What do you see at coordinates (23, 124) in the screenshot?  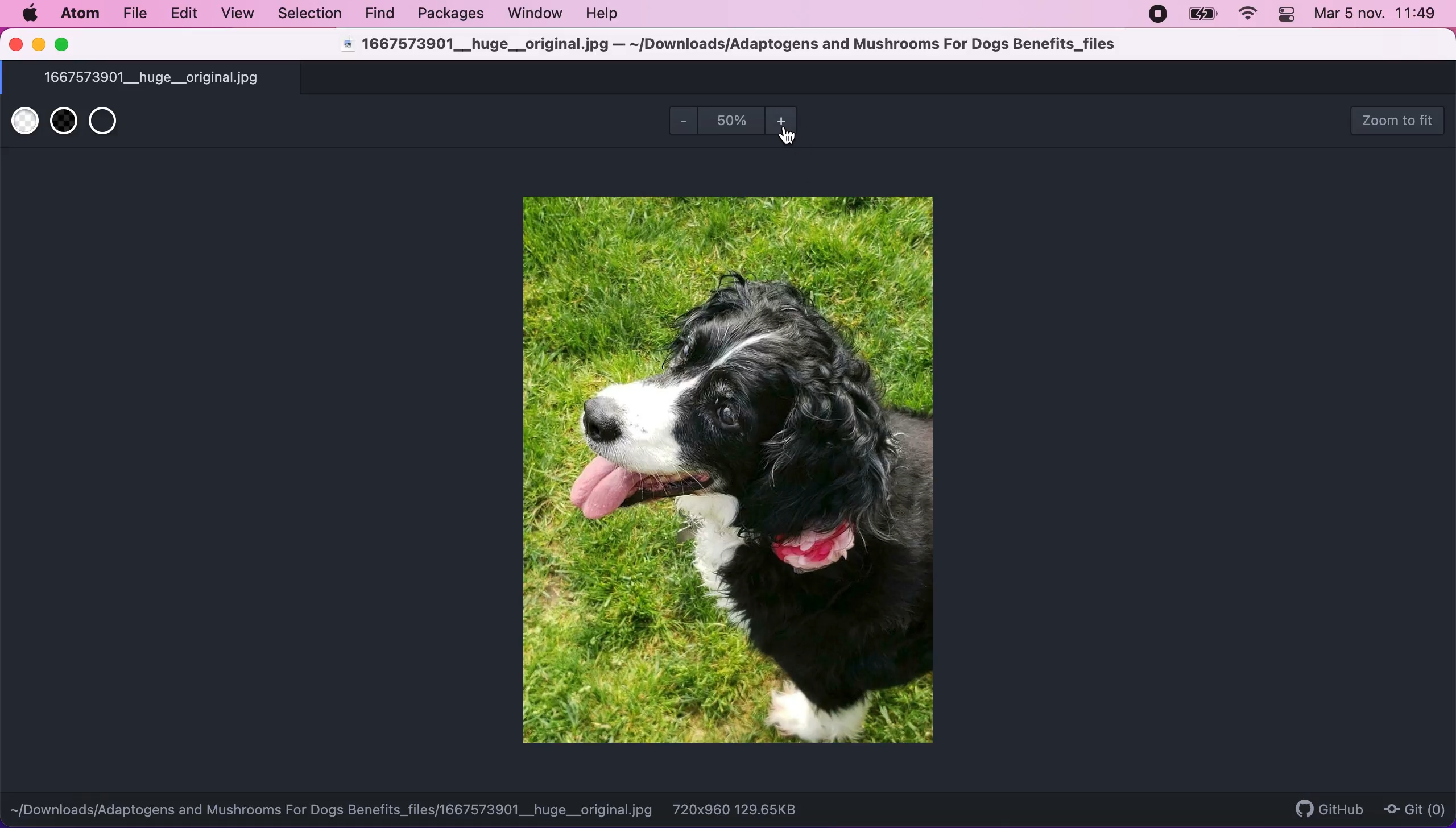 I see `use white transparent background` at bounding box center [23, 124].